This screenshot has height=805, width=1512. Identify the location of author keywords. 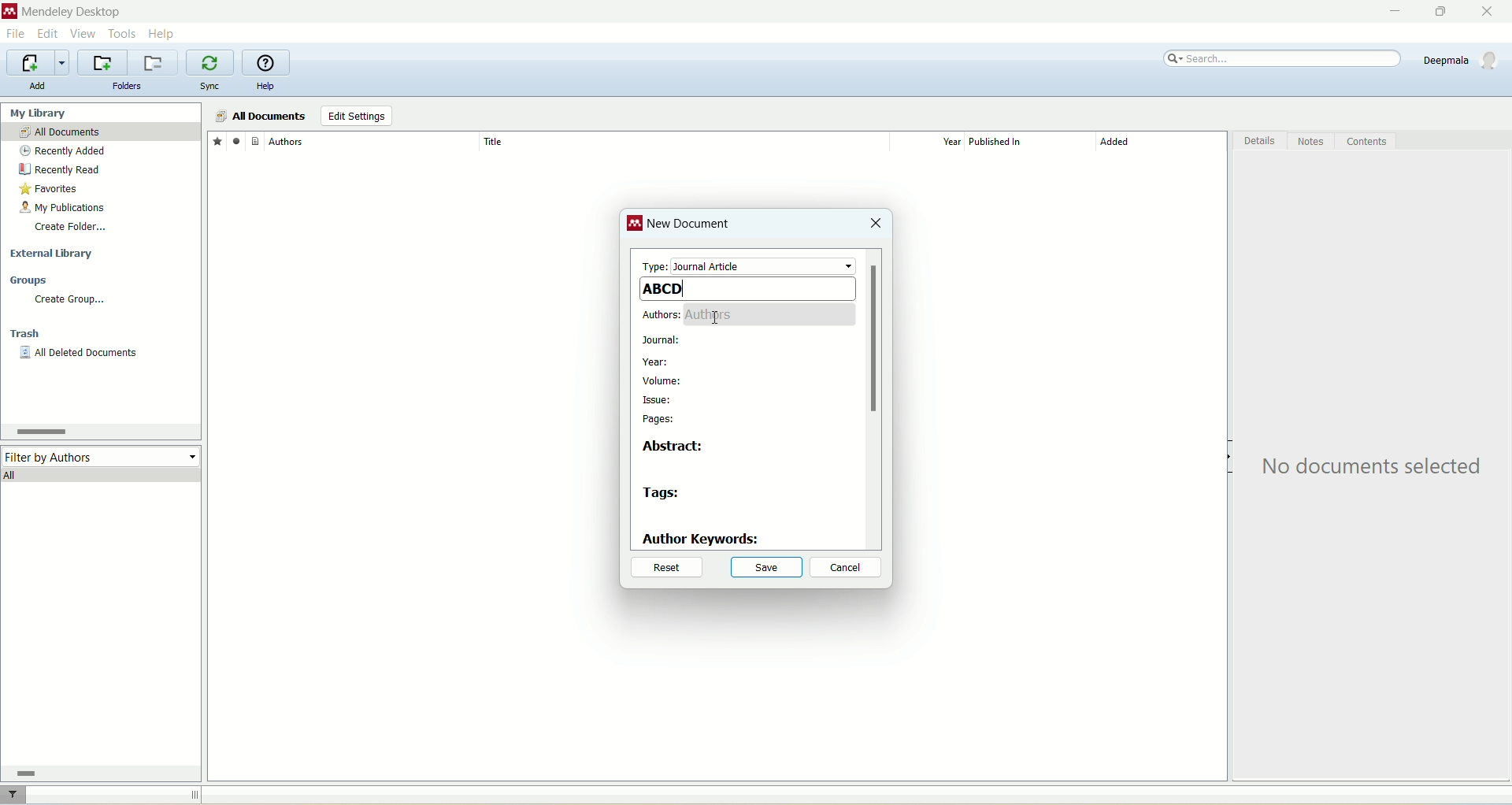
(702, 540).